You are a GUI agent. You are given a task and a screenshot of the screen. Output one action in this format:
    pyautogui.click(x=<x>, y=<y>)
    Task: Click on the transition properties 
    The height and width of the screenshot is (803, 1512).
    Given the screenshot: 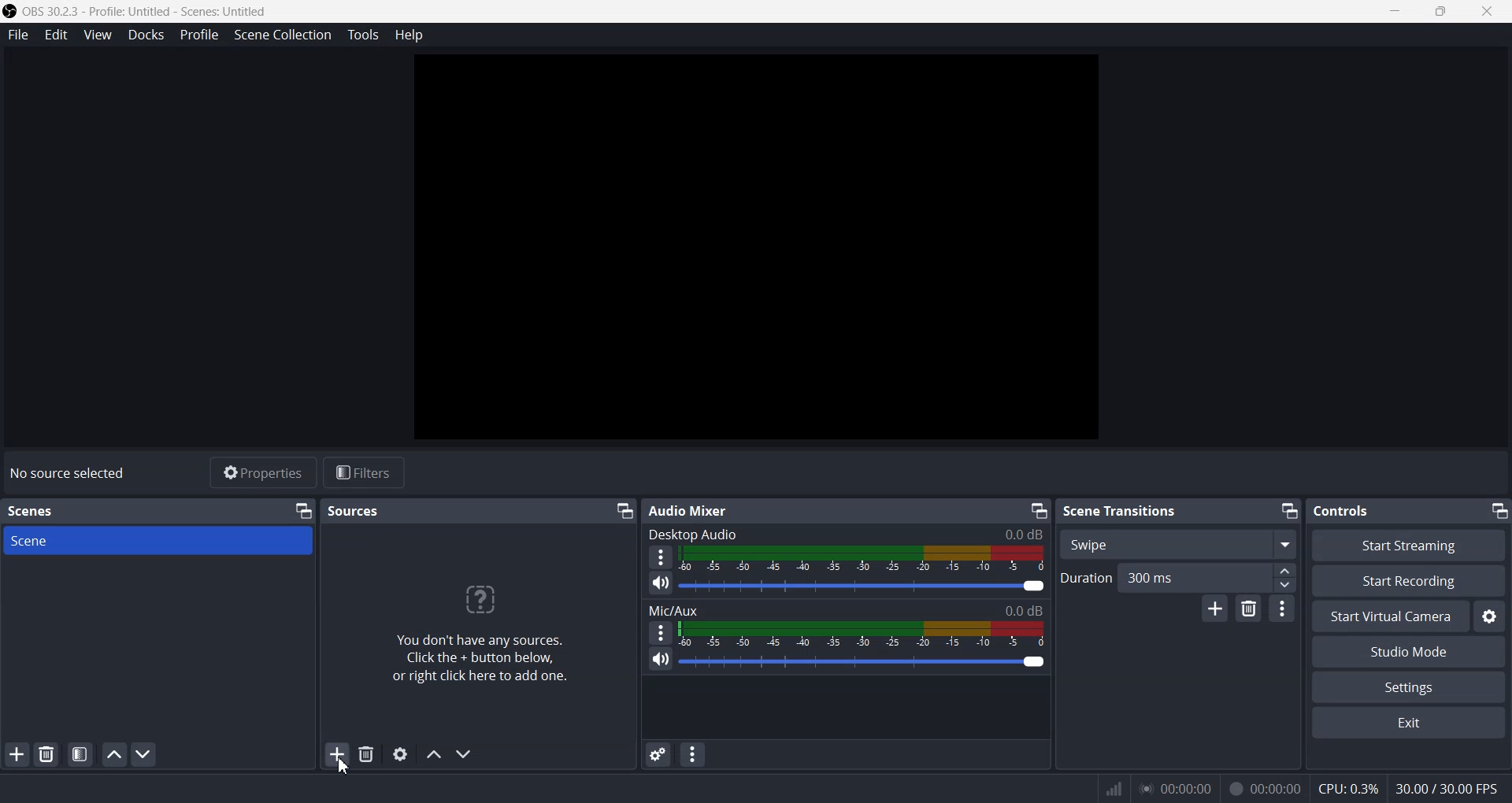 What is the action you would take?
    pyautogui.click(x=1282, y=609)
    